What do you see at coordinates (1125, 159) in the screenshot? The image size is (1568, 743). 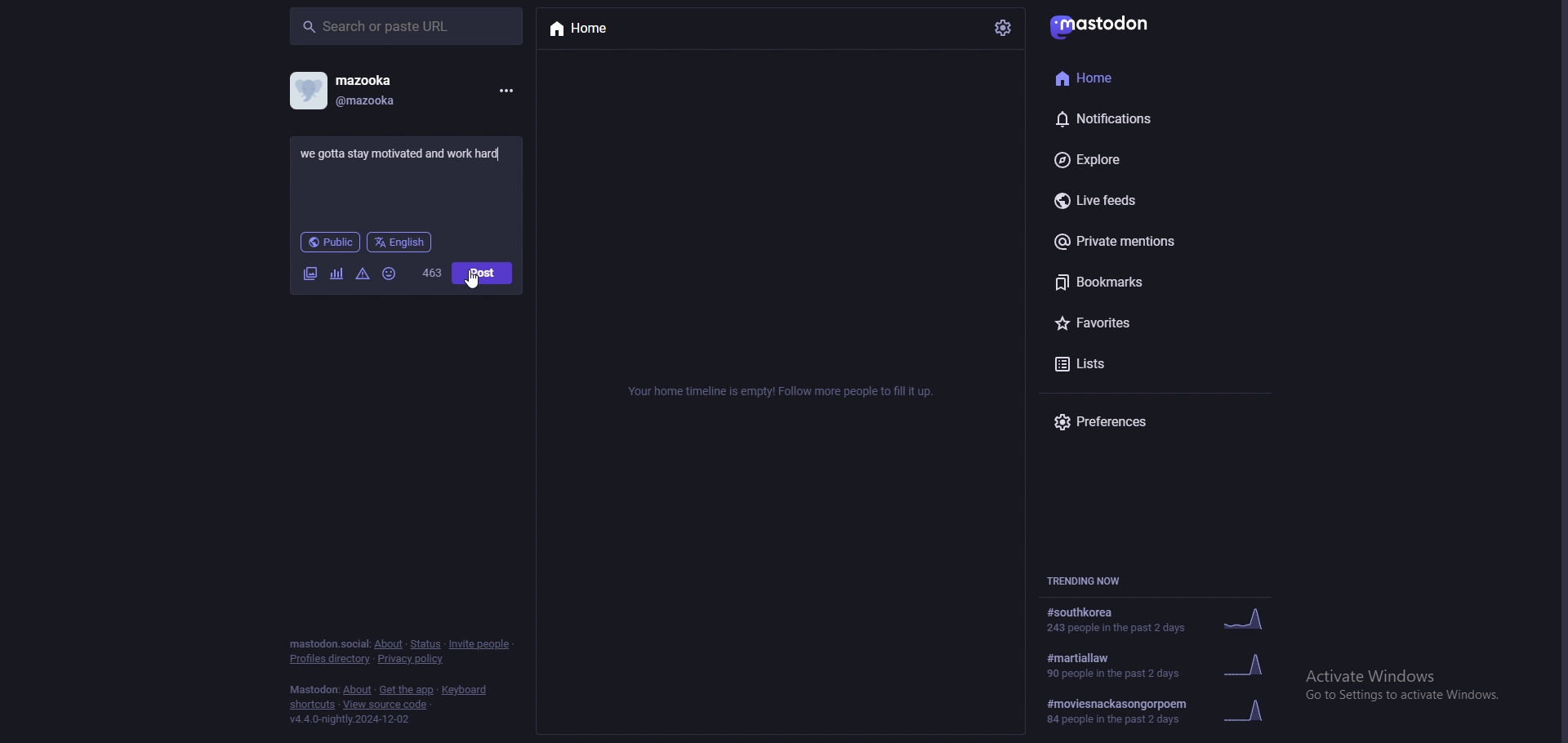 I see `explore` at bounding box center [1125, 159].